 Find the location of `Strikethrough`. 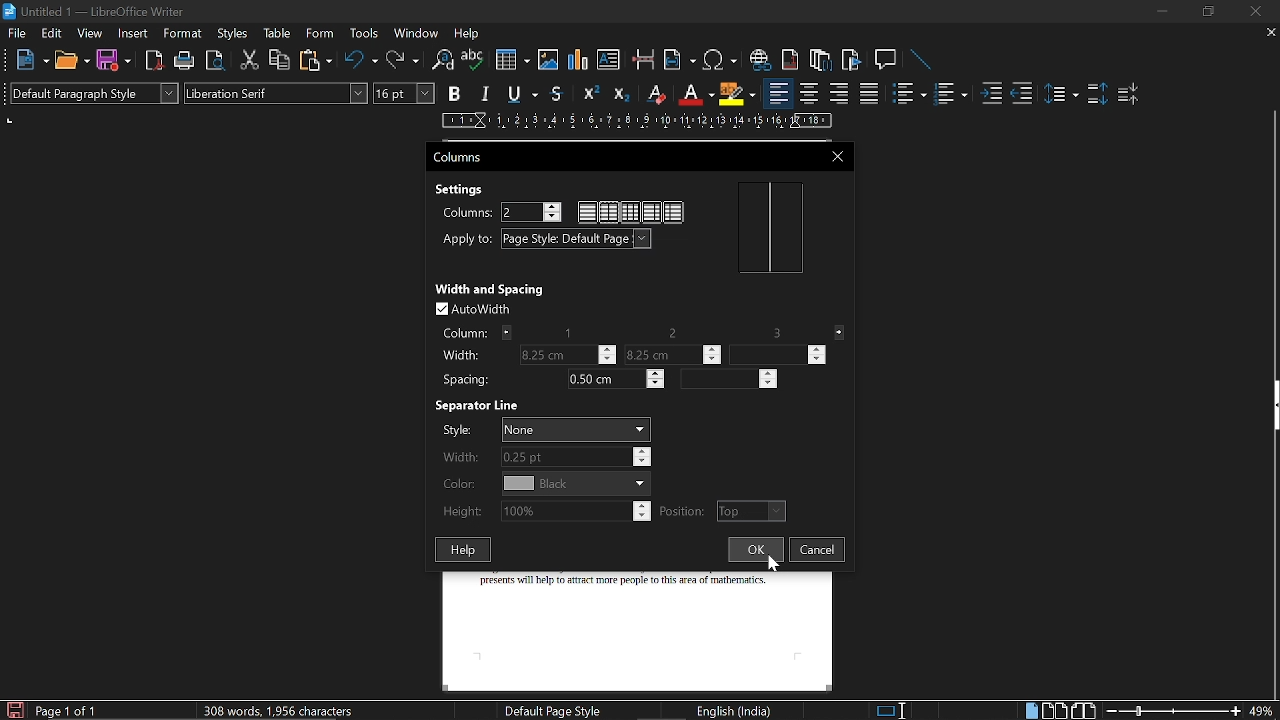

Strikethrough is located at coordinates (561, 94).